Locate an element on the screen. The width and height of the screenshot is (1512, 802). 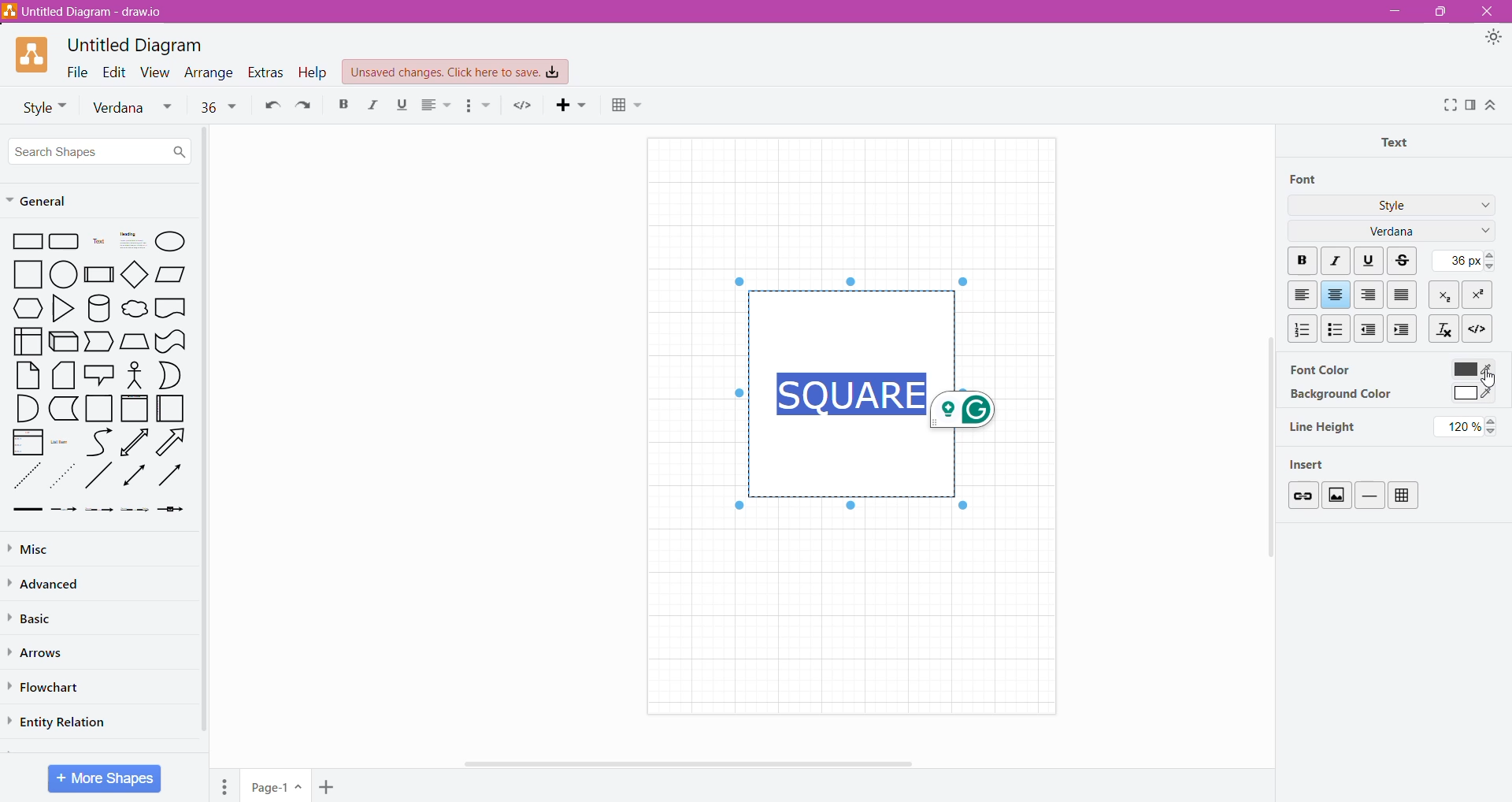
Ellipse is located at coordinates (170, 243).